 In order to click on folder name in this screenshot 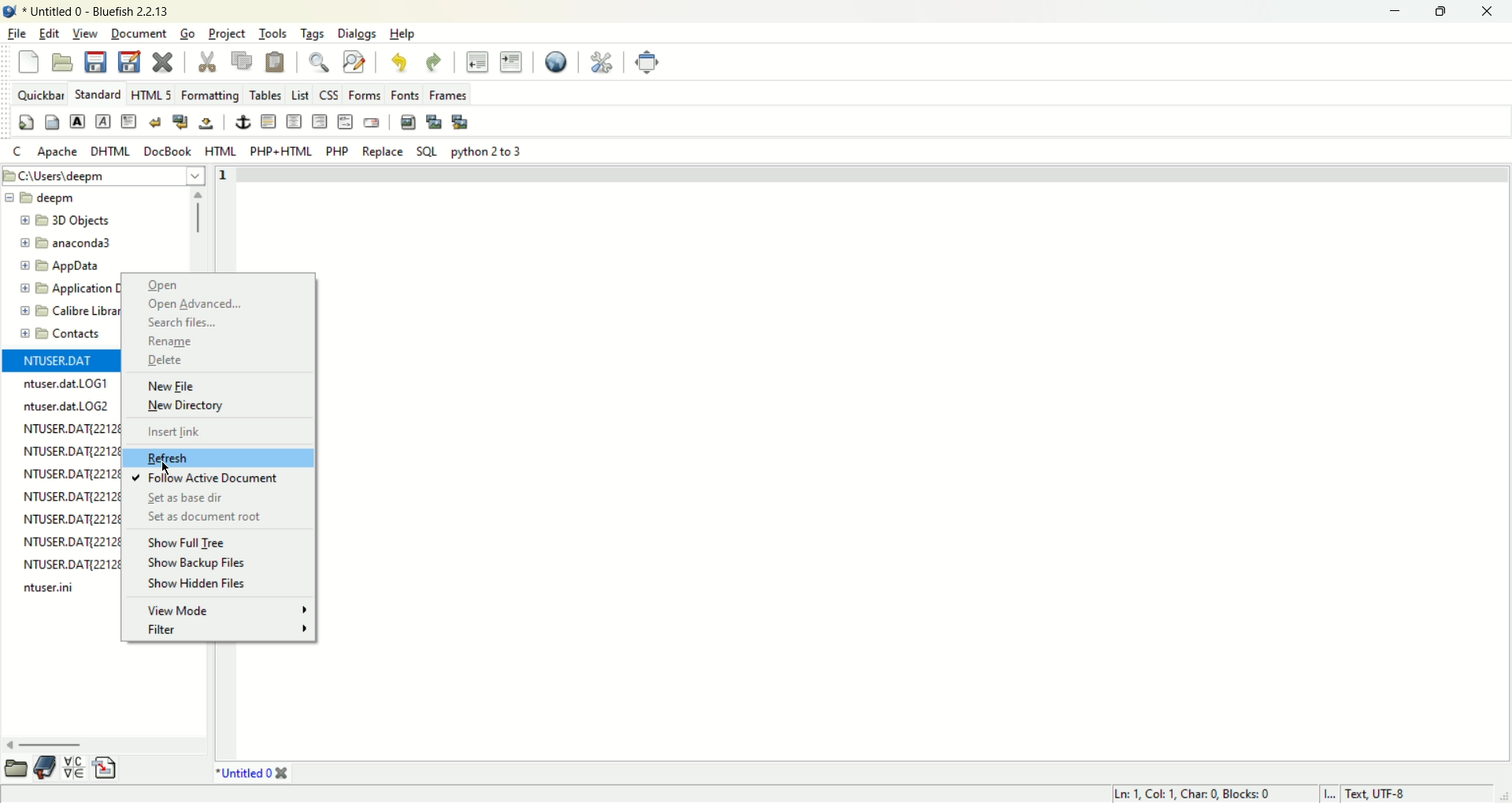, I will do `click(84, 223)`.